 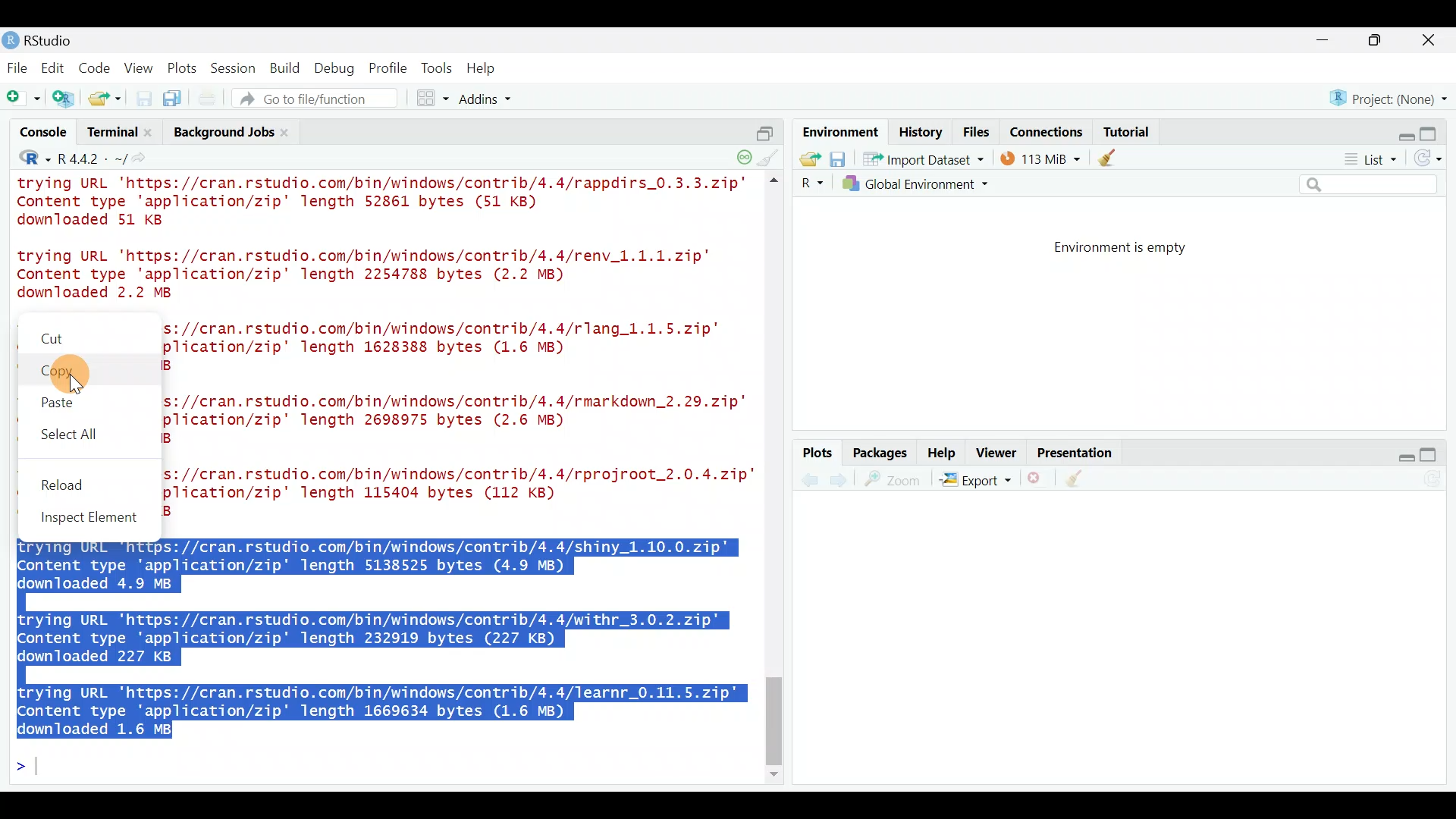 What do you see at coordinates (65, 99) in the screenshot?
I see `Create a project` at bounding box center [65, 99].